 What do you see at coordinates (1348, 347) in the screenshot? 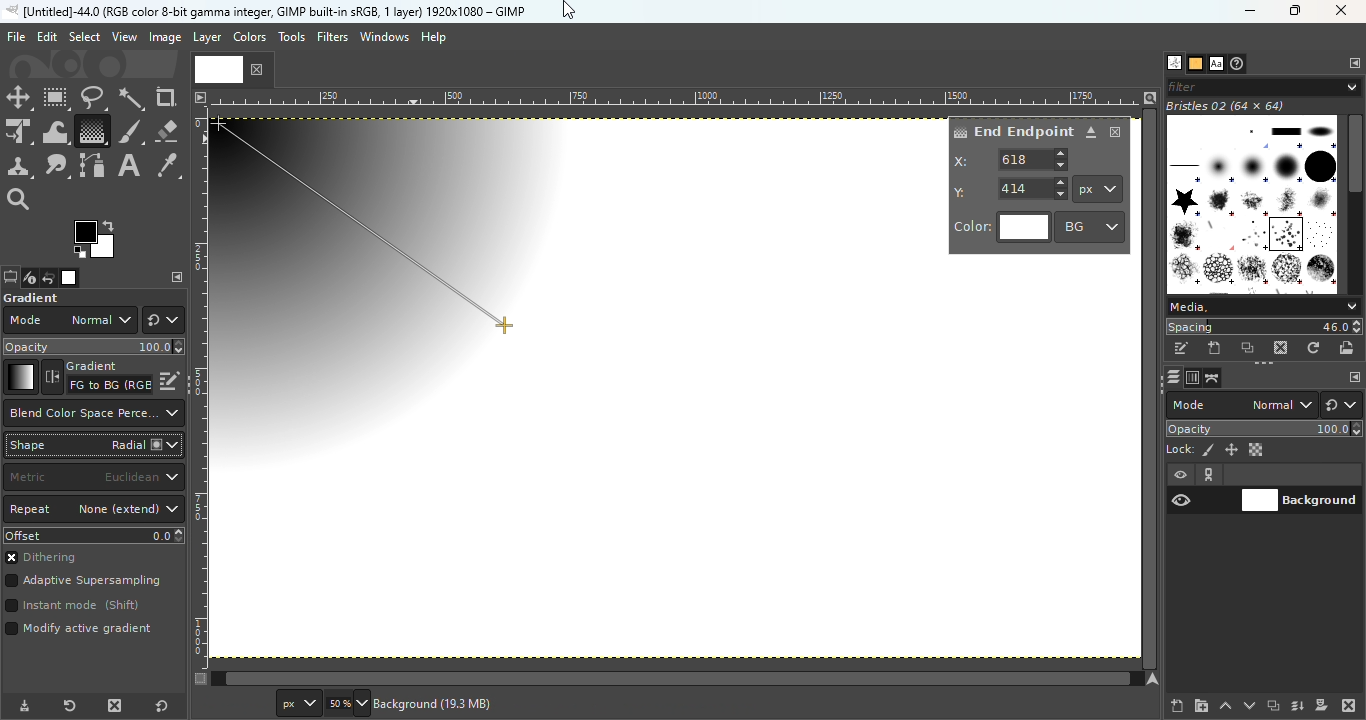
I see `Open brush as image` at bounding box center [1348, 347].